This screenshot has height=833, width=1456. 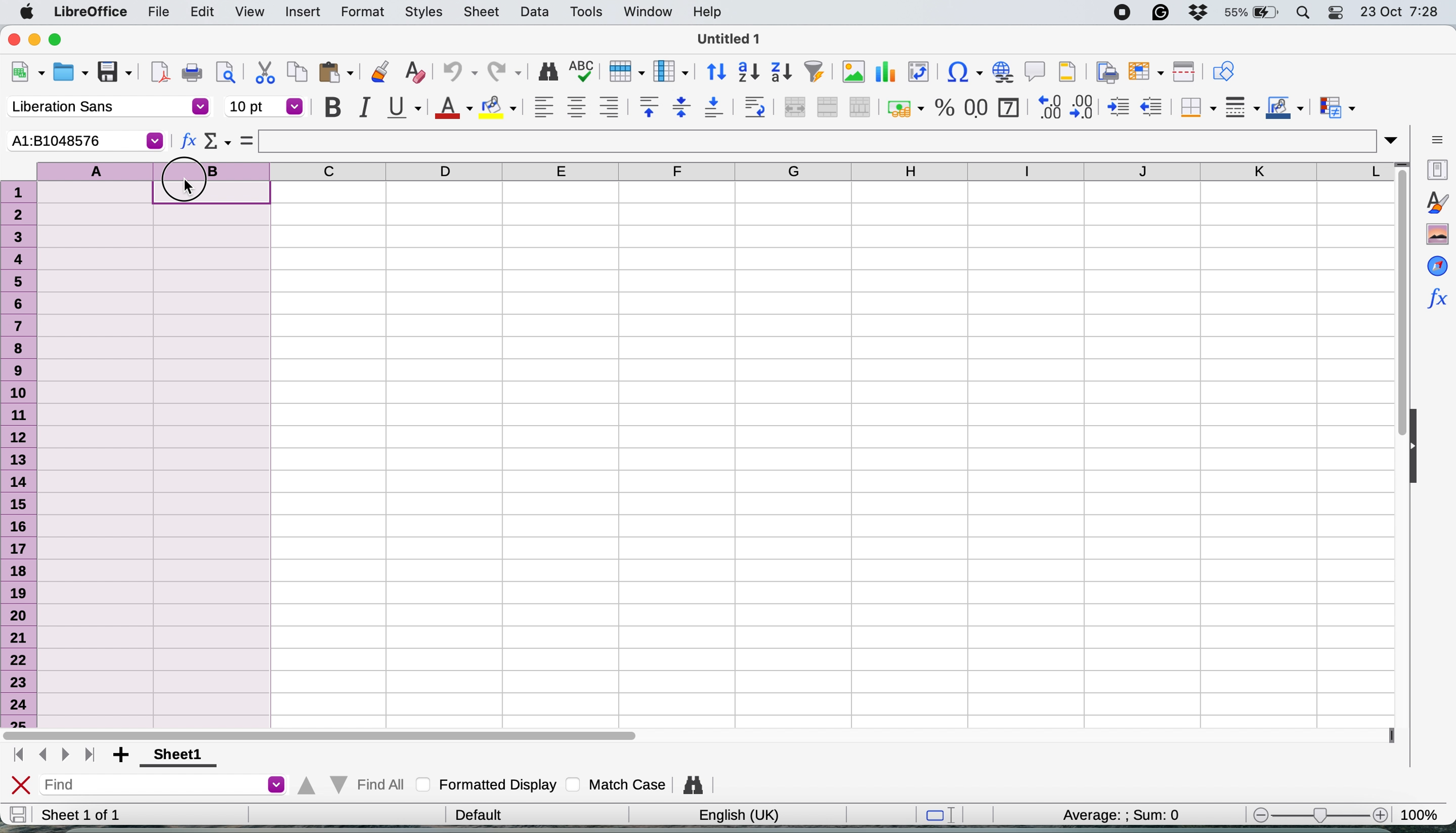 What do you see at coordinates (1434, 204) in the screenshot?
I see `styles` at bounding box center [1434, 204].